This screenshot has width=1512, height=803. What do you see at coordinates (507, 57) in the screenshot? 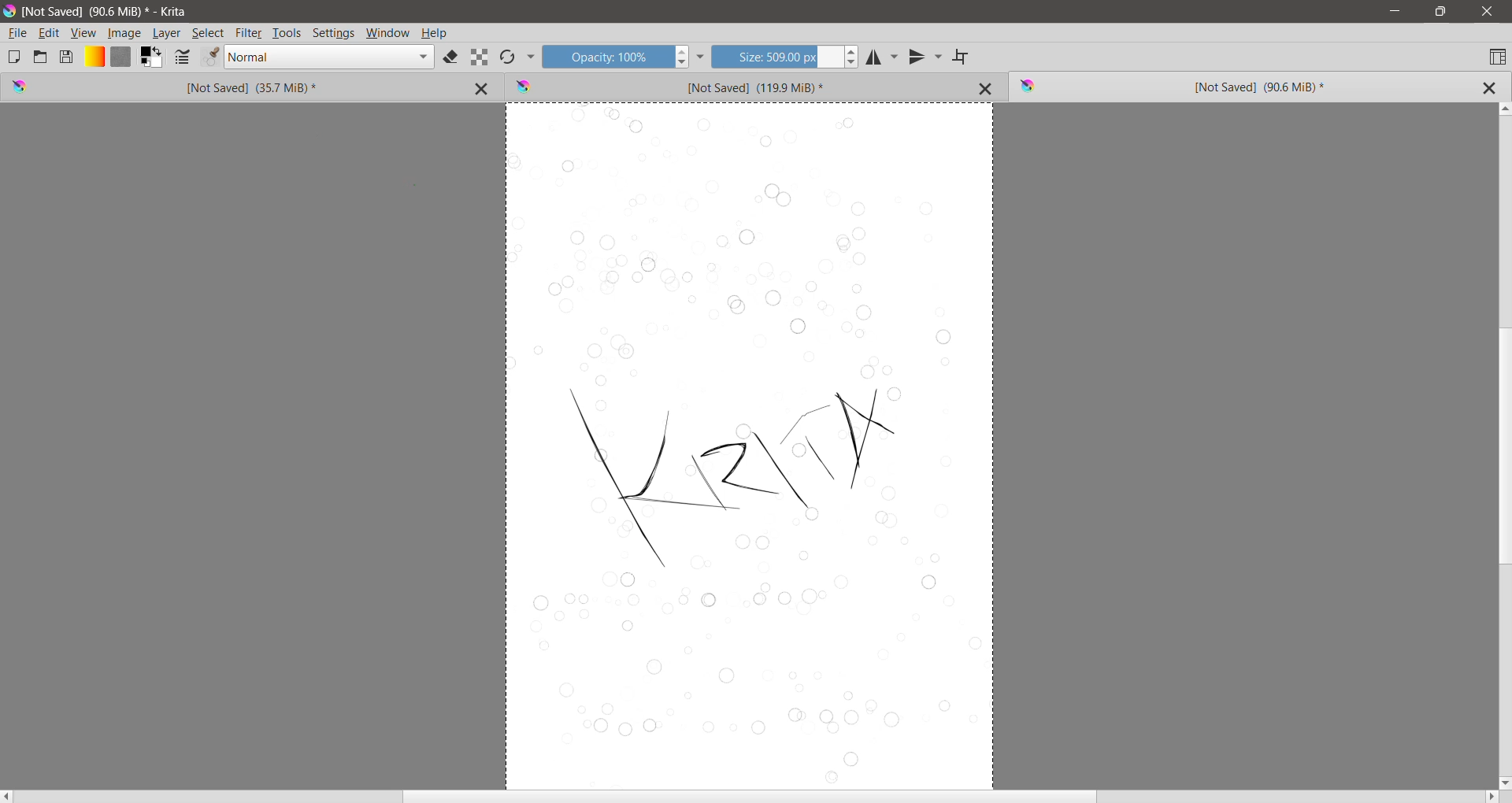
I see `Reload Original Preset` at bounding box center [507, 57].